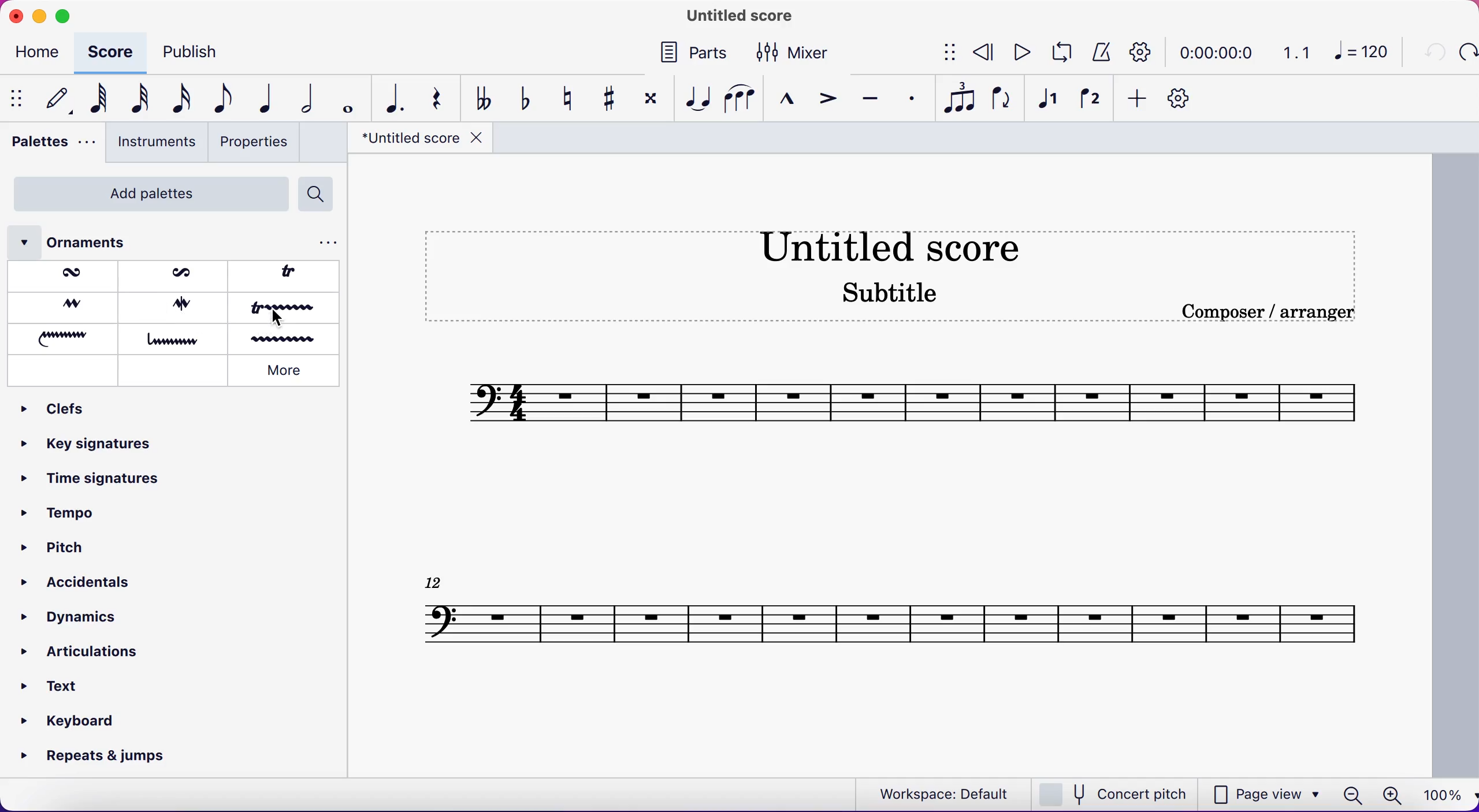  Describe the element at coordinates (1051, 101) in the screenshot. I see `voice 1` at that location.